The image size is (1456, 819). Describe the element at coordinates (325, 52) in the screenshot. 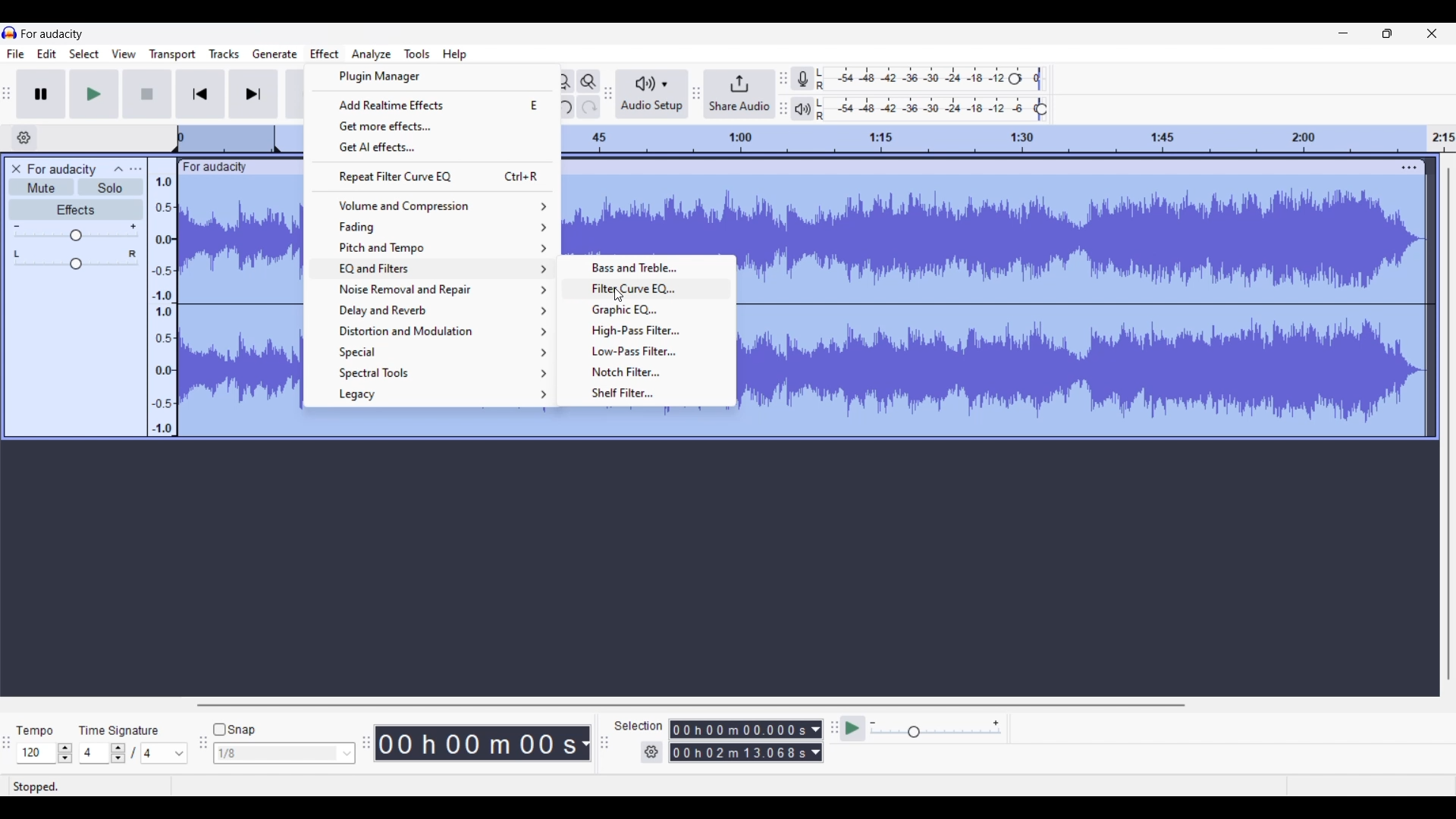

I see `Effect menu` at that location.